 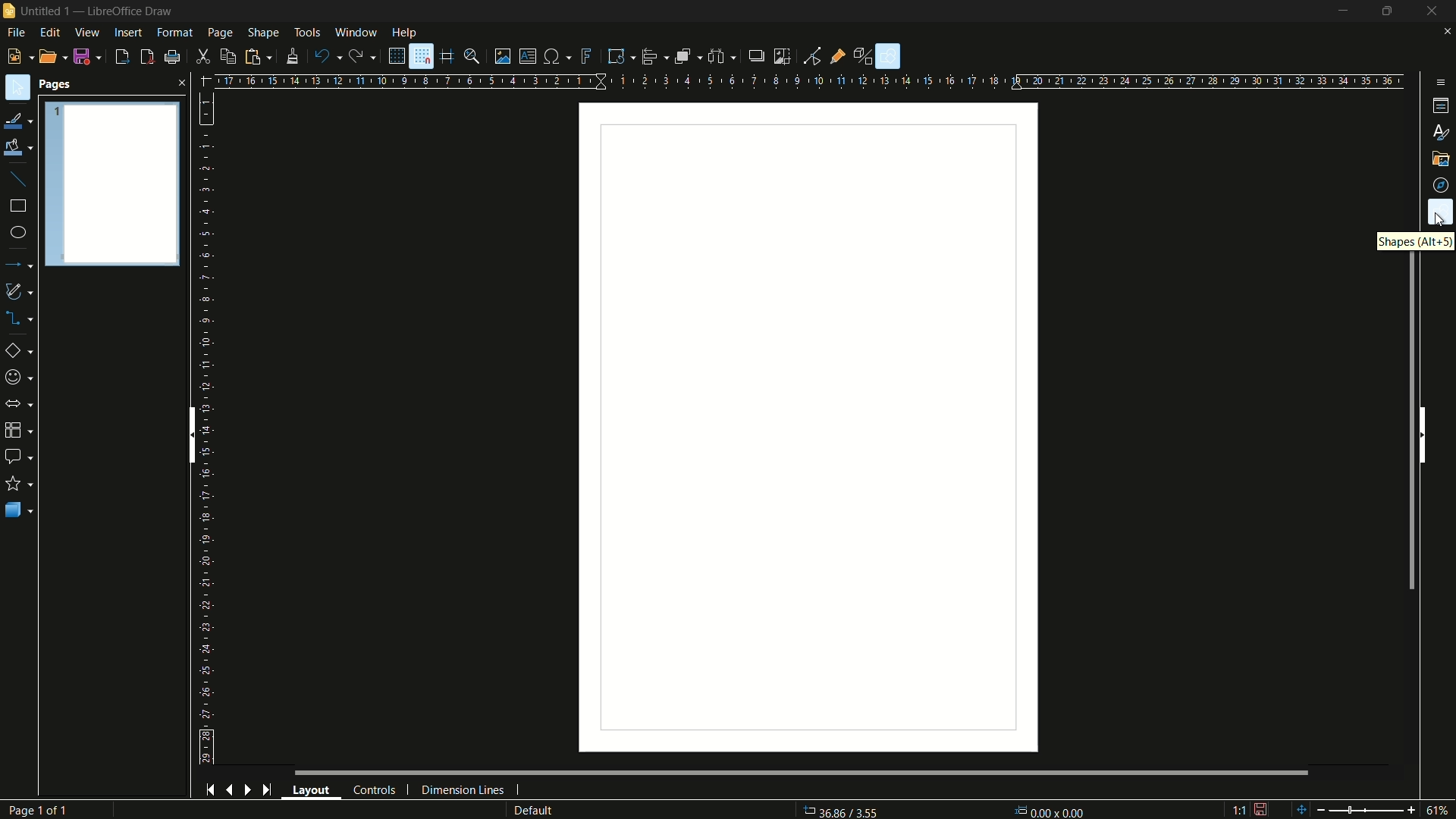 What do you see at coordinates (1238, 812) in the screenshot?
I see `scaling factor` at bounding box center [1238, 812].